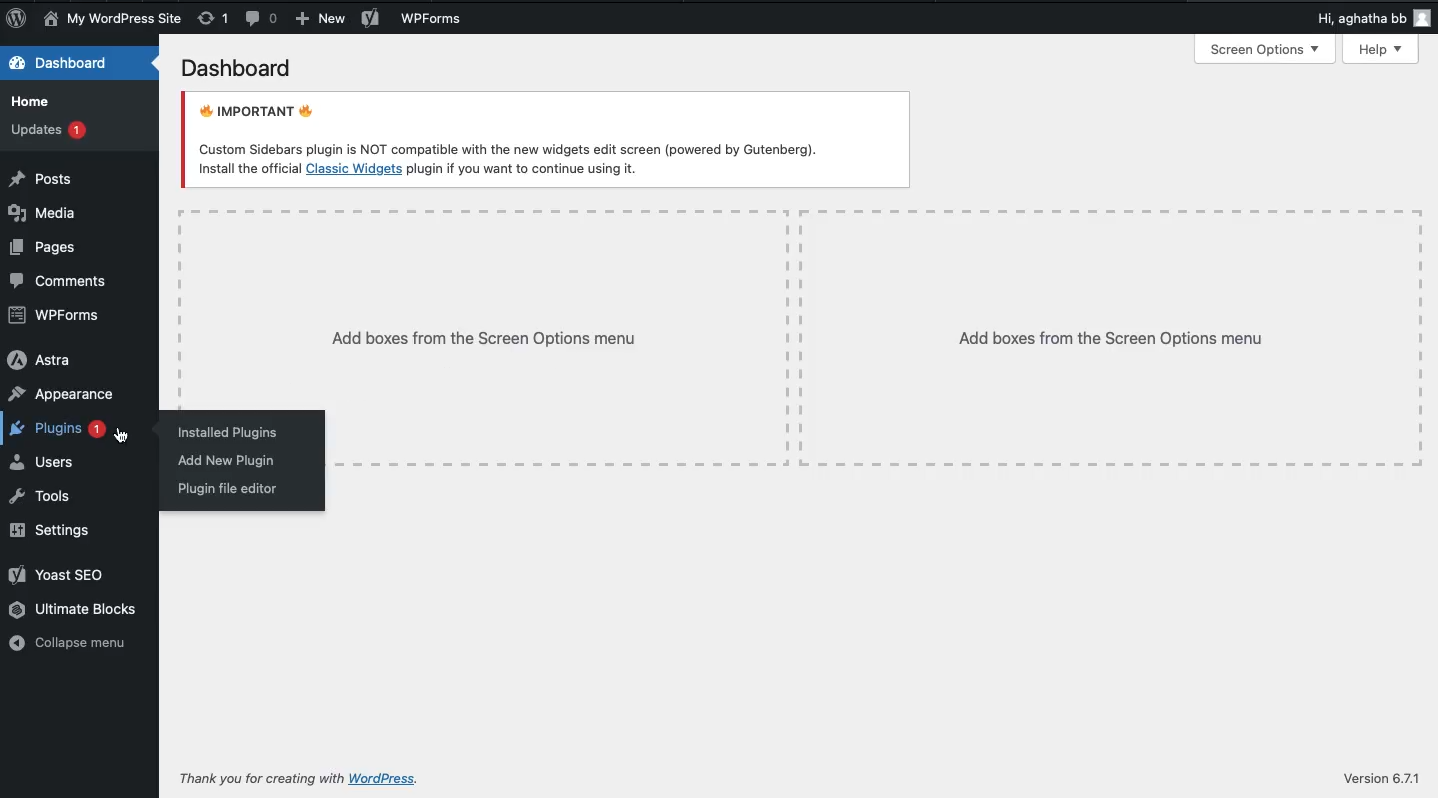 This screenshot has width=1438, height=798. Describe the element at coordinates (73, 643) in the screenshot. I see `Collapse menu` at that location.